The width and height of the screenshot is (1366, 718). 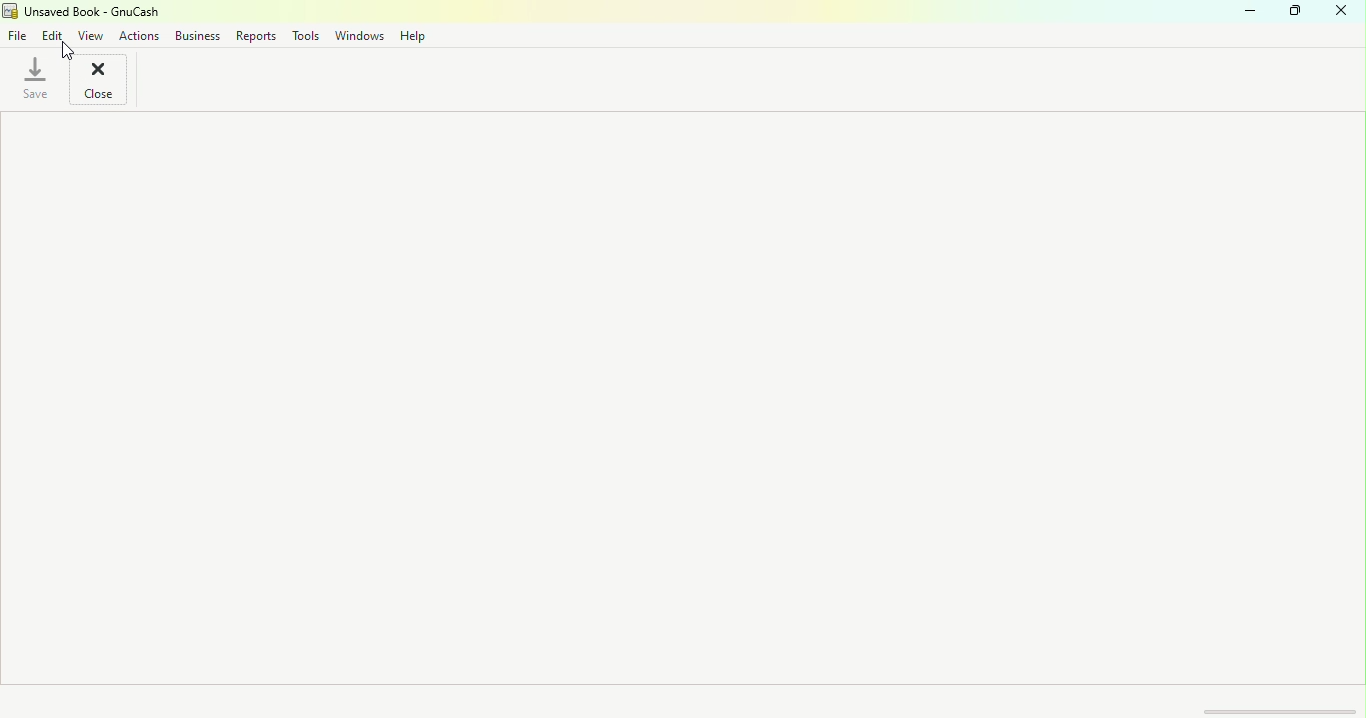 I want to click on Help, so click(x=413, y=35).